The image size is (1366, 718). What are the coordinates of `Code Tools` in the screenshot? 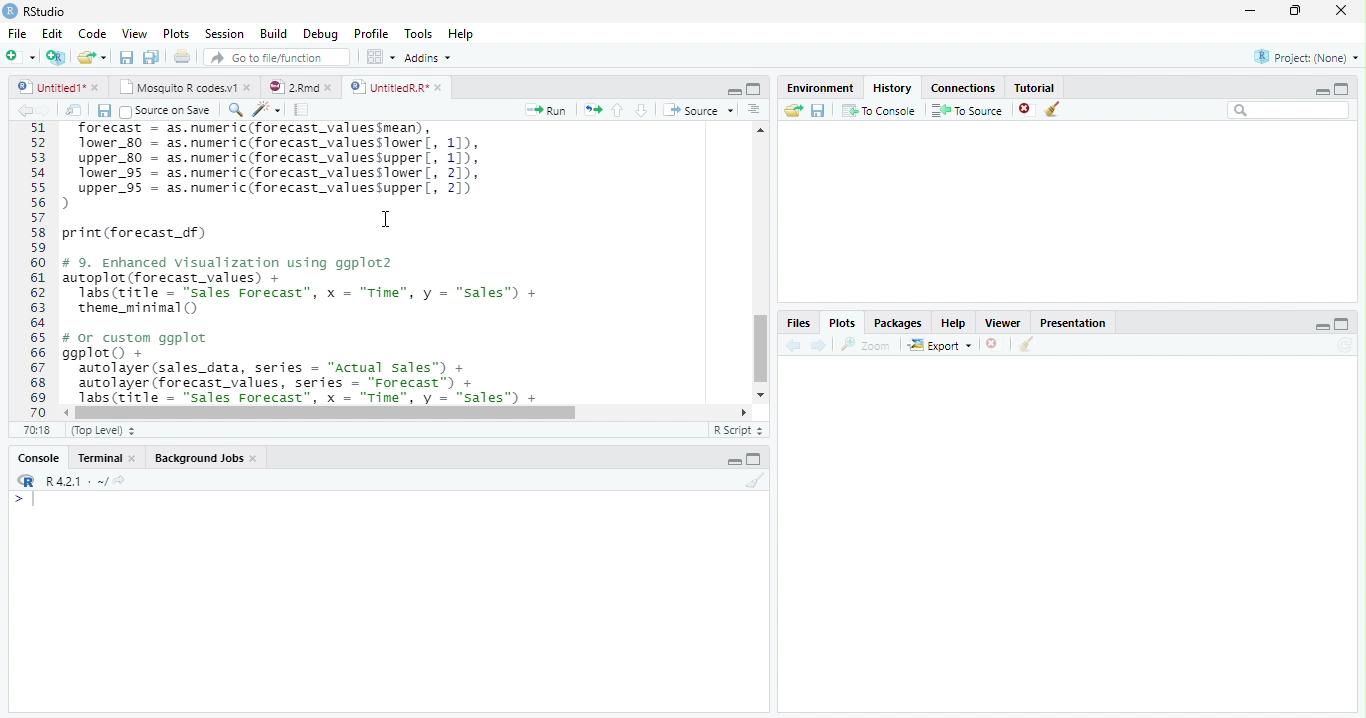 It's located at (263, 109).